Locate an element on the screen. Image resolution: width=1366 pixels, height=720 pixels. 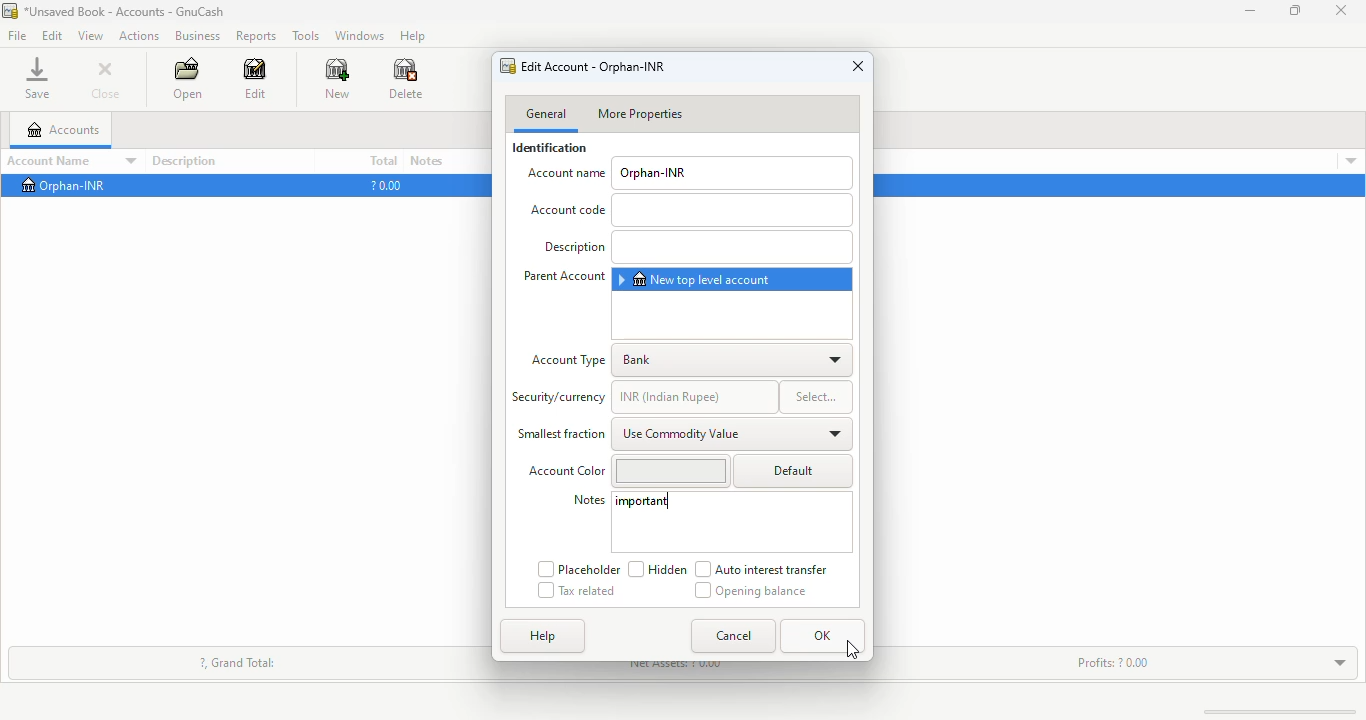
INR (Indian rupee_ is located at coordinates (693, 395).